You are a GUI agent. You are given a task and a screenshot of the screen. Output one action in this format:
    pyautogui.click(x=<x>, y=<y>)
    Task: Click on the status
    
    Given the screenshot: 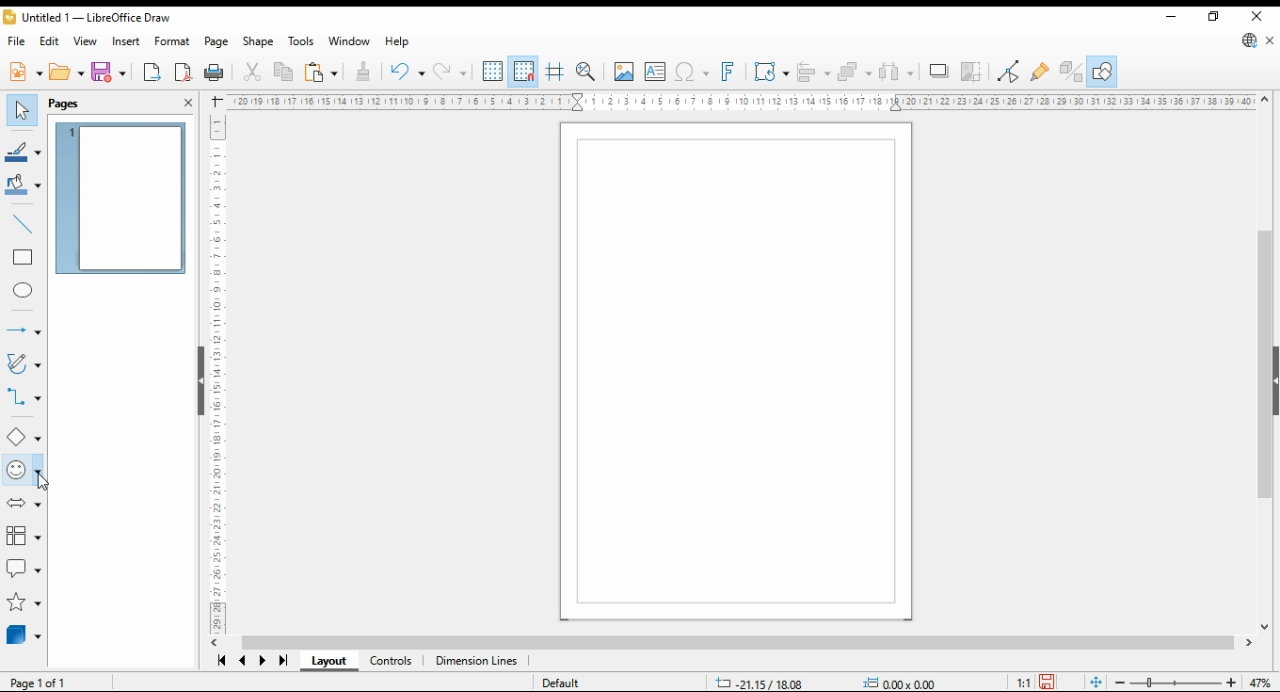 What is the action you would take?
    pyautogui.click(x=822, y=682)
    